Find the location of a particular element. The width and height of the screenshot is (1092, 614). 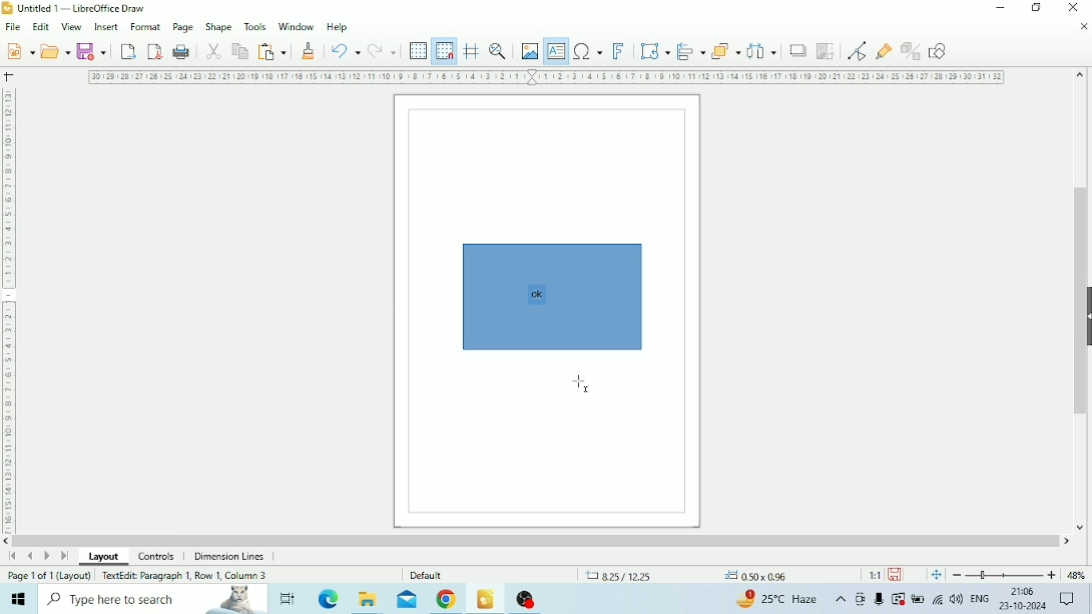

Cursor is located at coordinates (582, 386).